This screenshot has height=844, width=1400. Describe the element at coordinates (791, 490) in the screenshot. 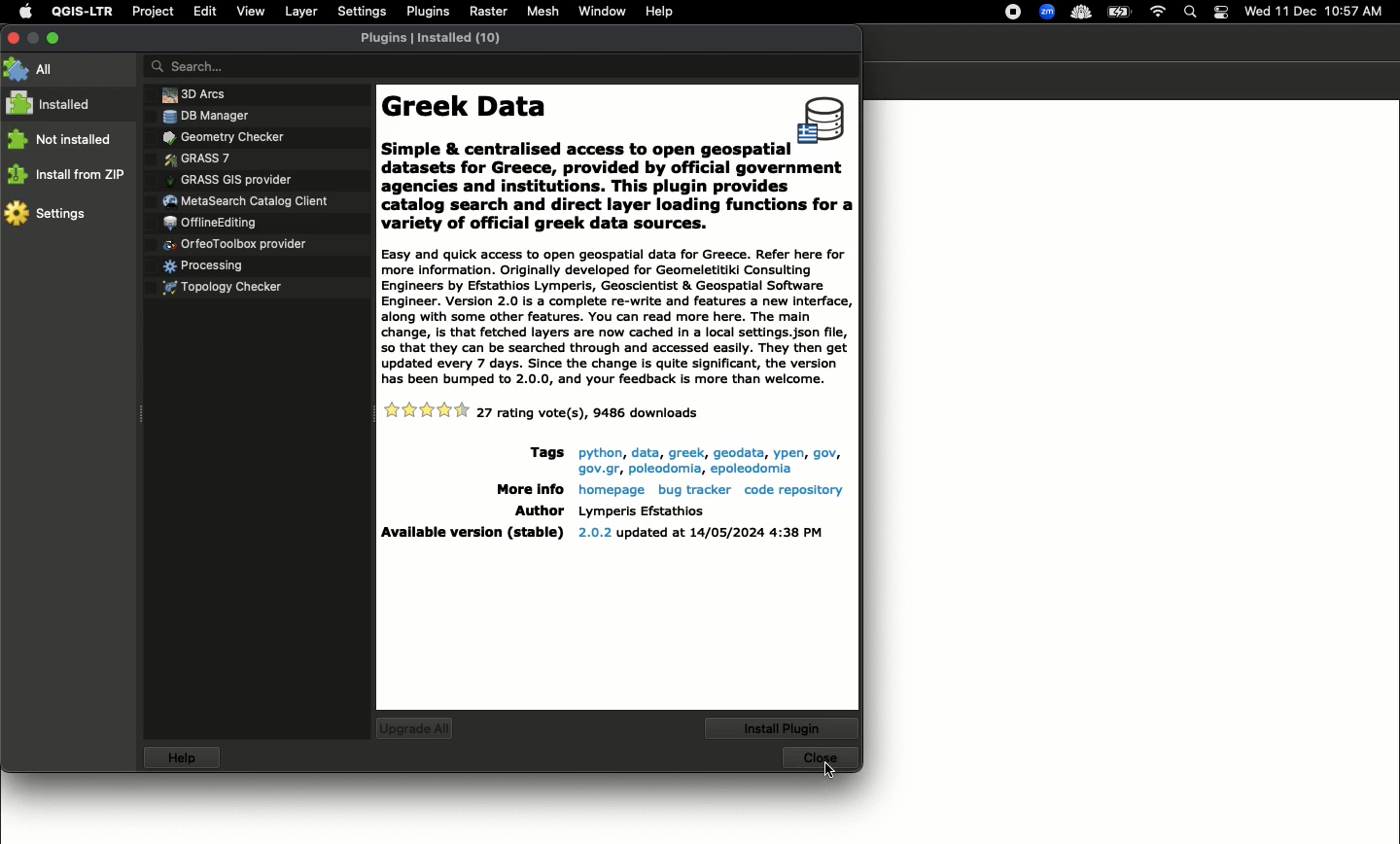

I see `code repository` at that location.